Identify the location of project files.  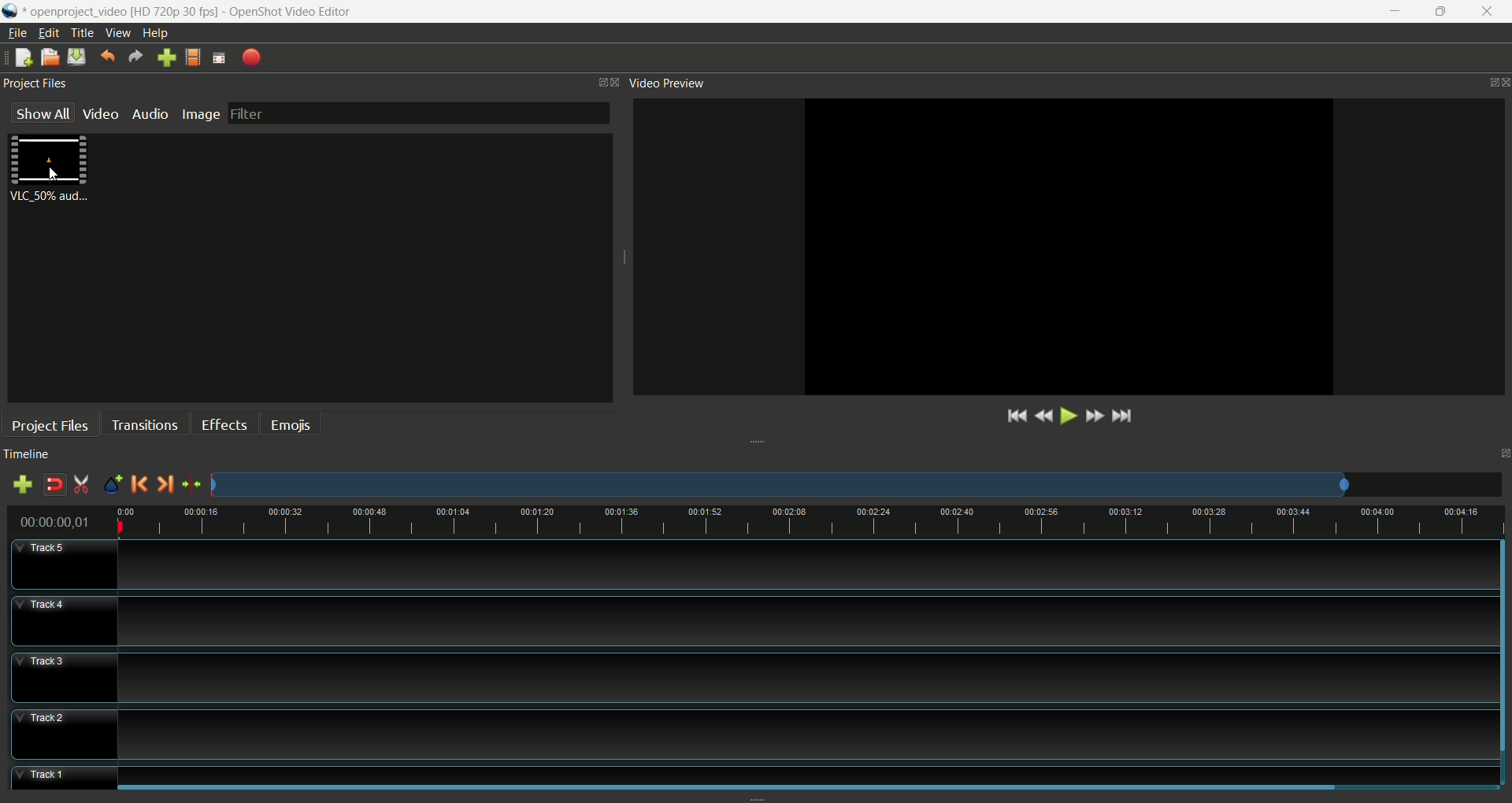
(50, 426).